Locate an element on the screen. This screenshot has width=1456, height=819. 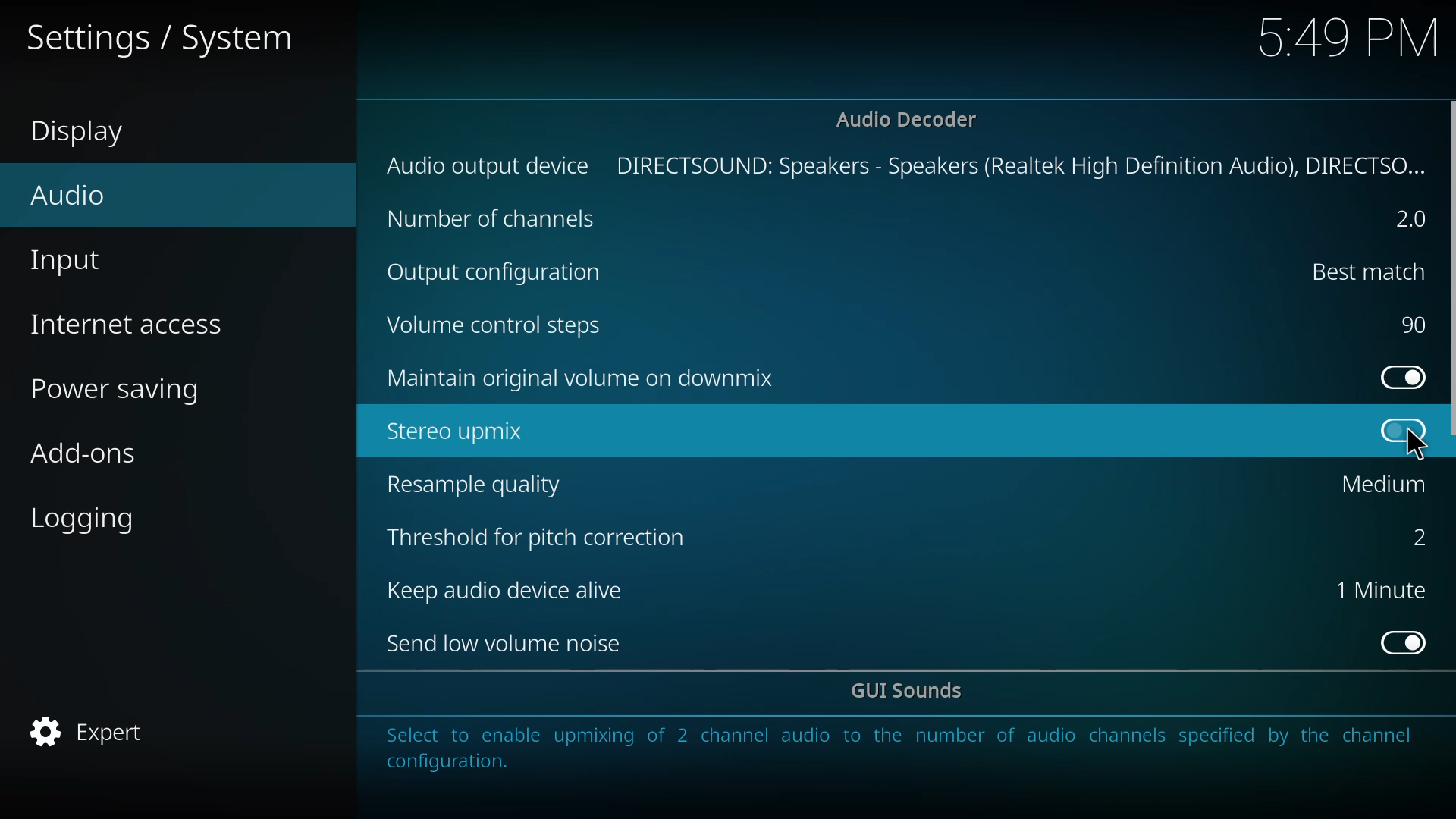
2 is located at coordinates (1411, 219).